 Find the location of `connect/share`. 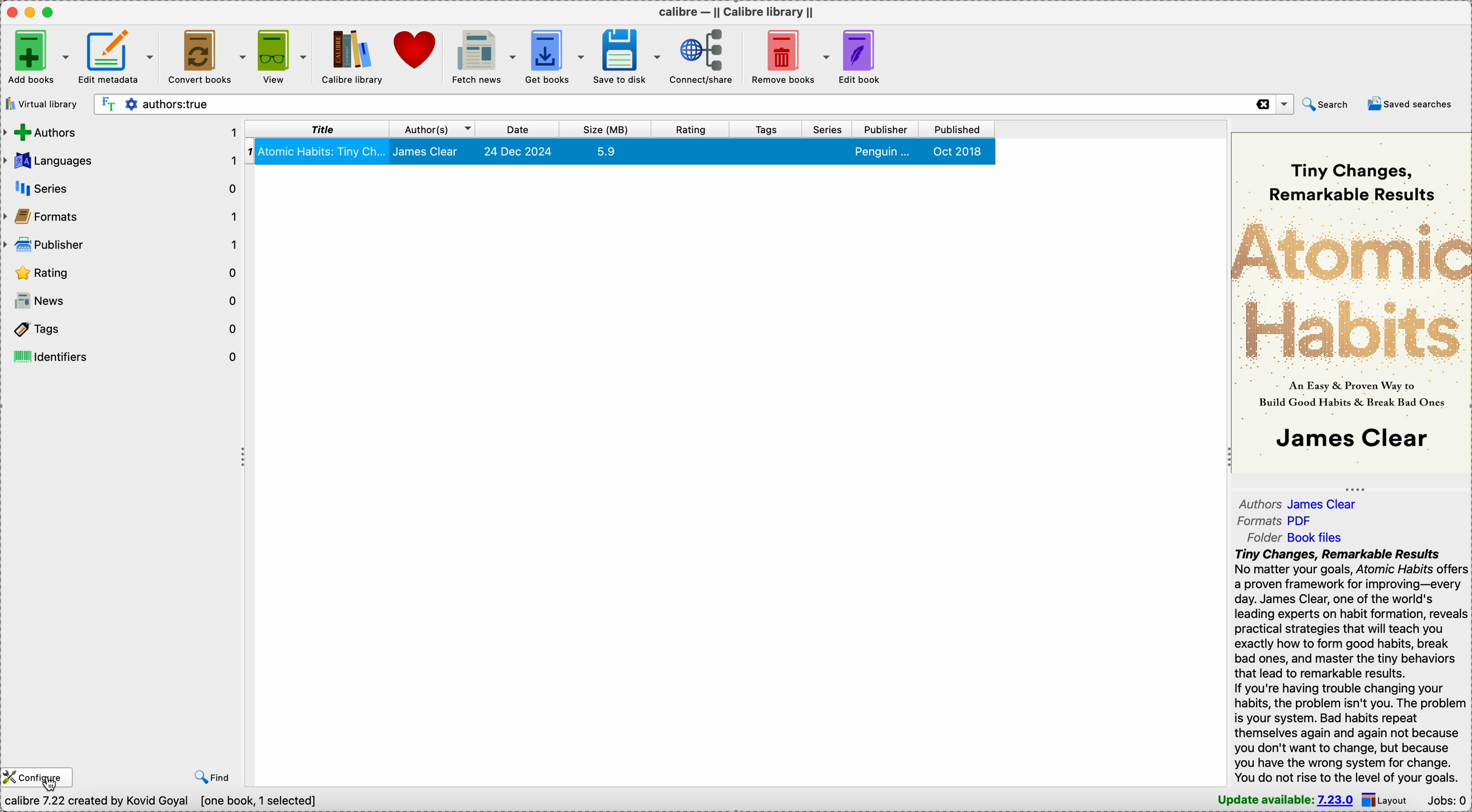

connect/share is located at coordinates (701, 56).